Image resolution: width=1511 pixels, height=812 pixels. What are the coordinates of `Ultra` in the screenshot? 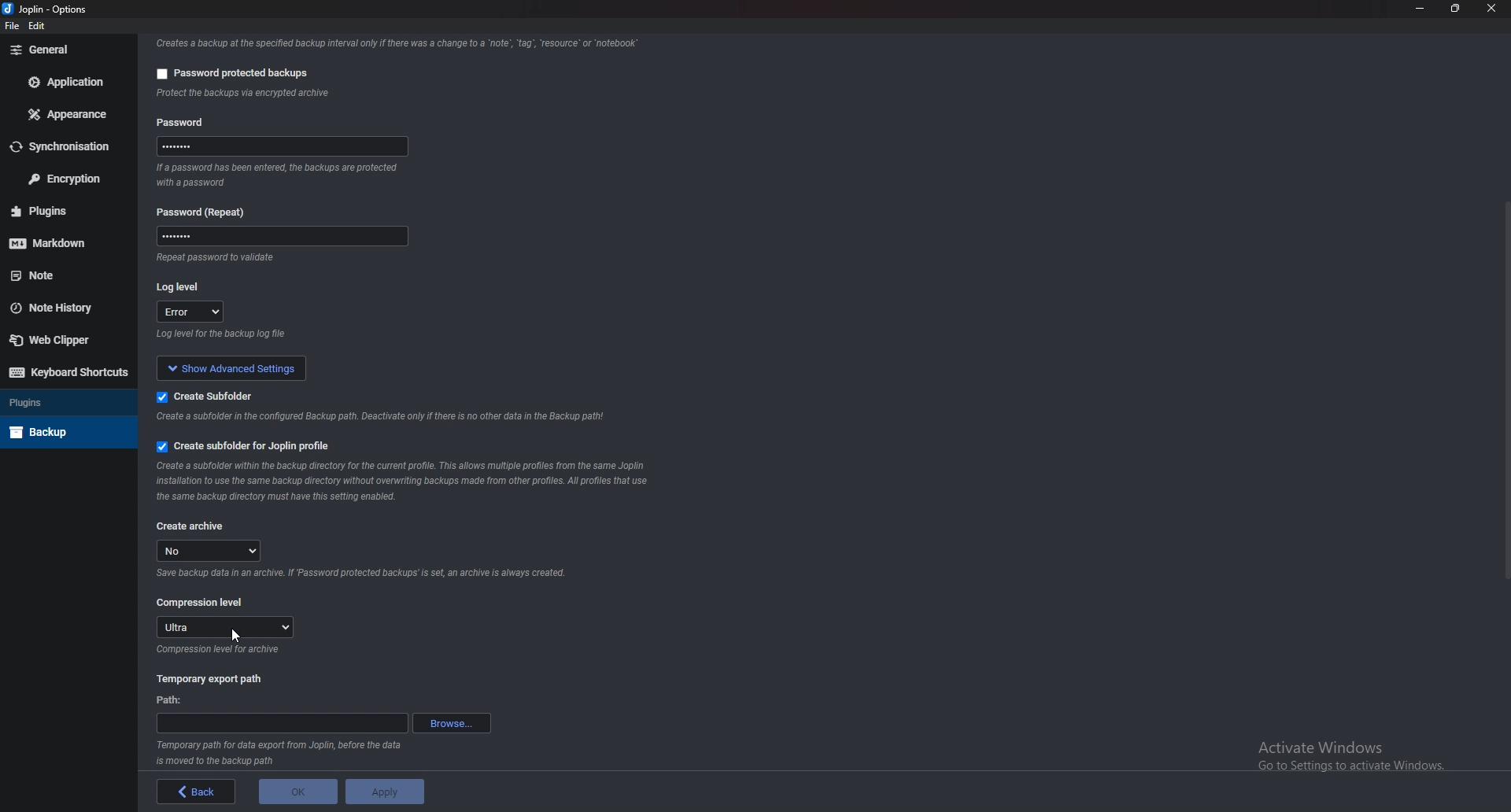 It's located at (226, 627).